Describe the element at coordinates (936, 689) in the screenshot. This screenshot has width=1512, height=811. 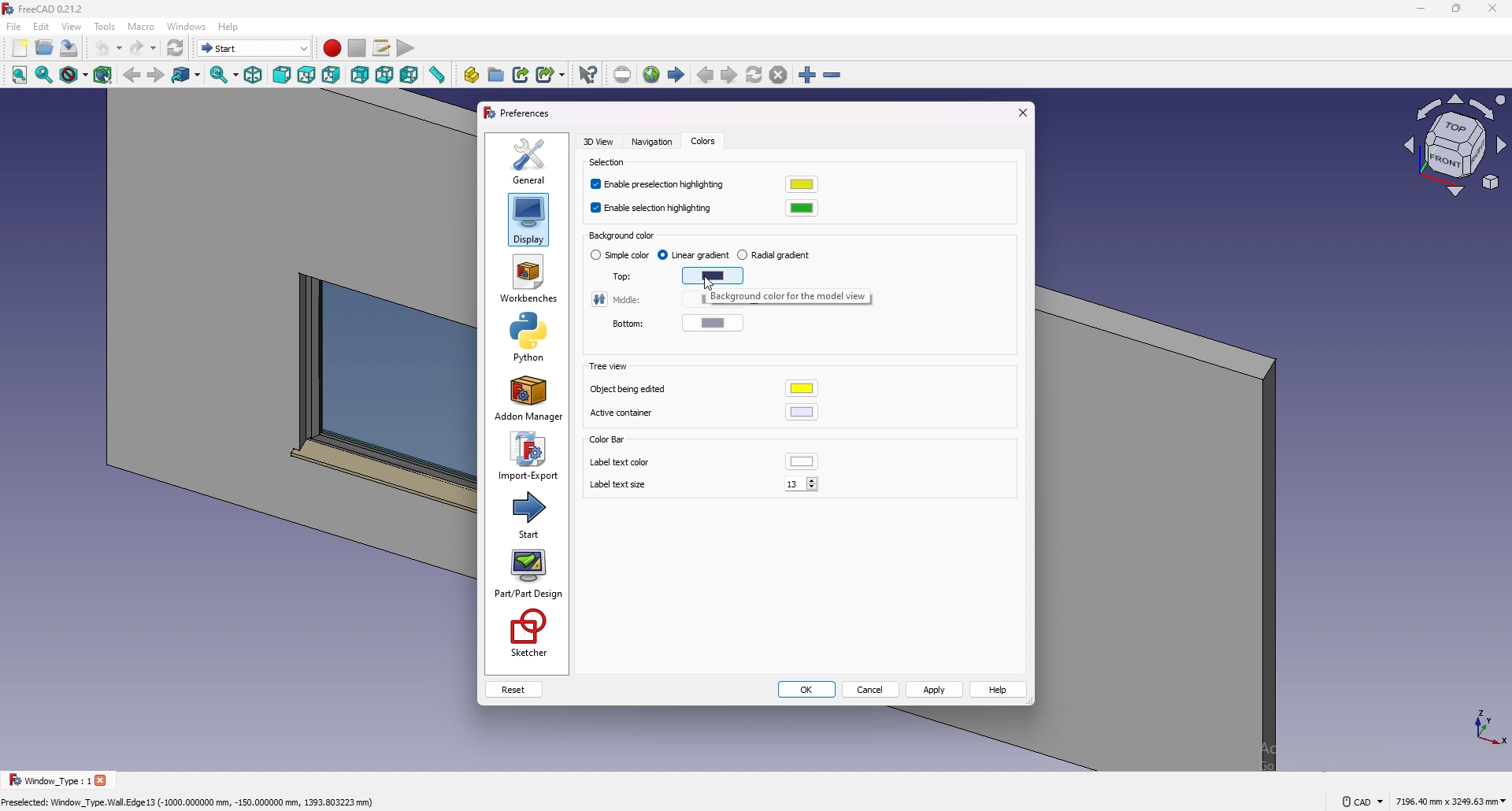
I see `apply` at that location.